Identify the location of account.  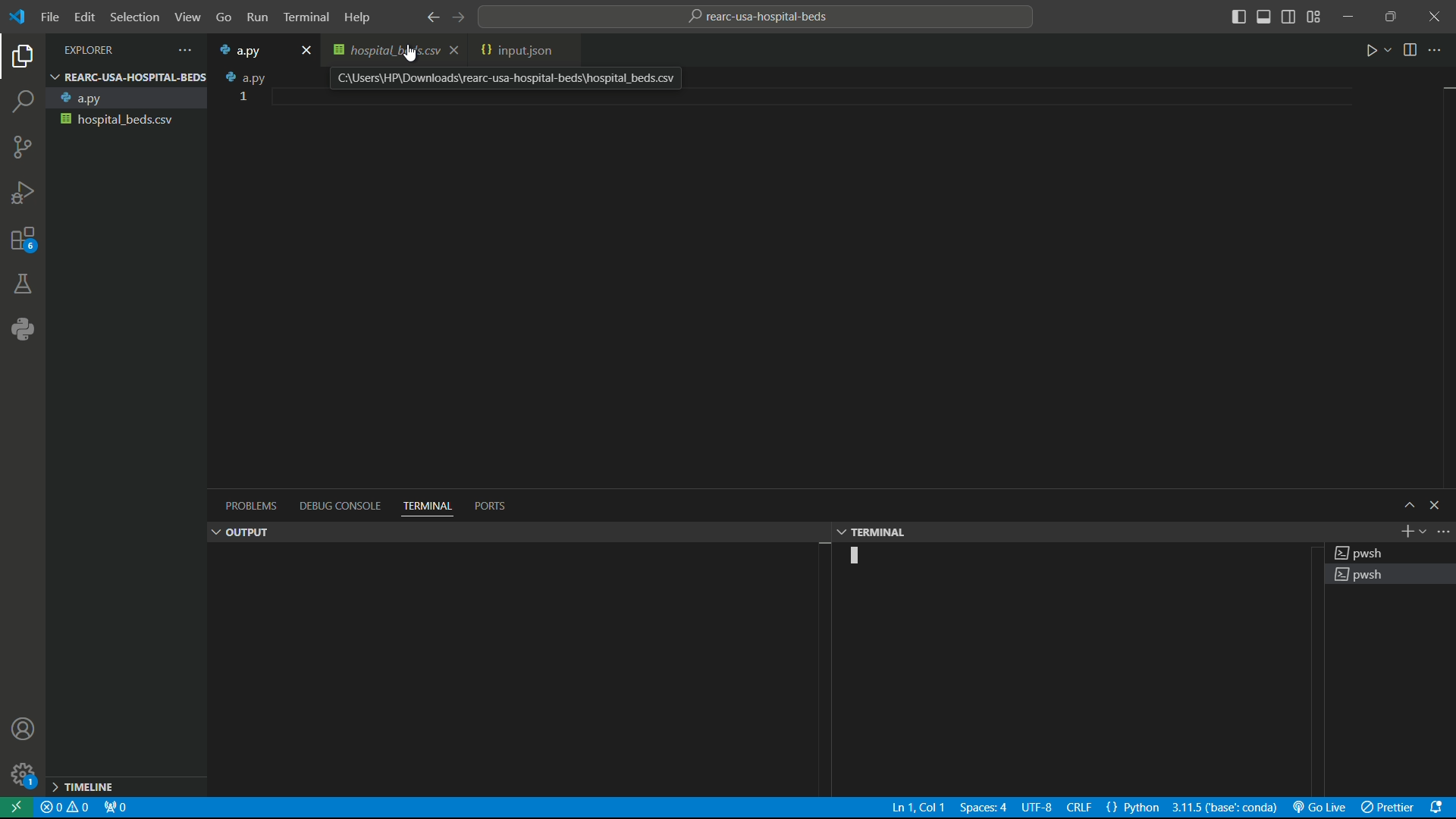
(25, 730).